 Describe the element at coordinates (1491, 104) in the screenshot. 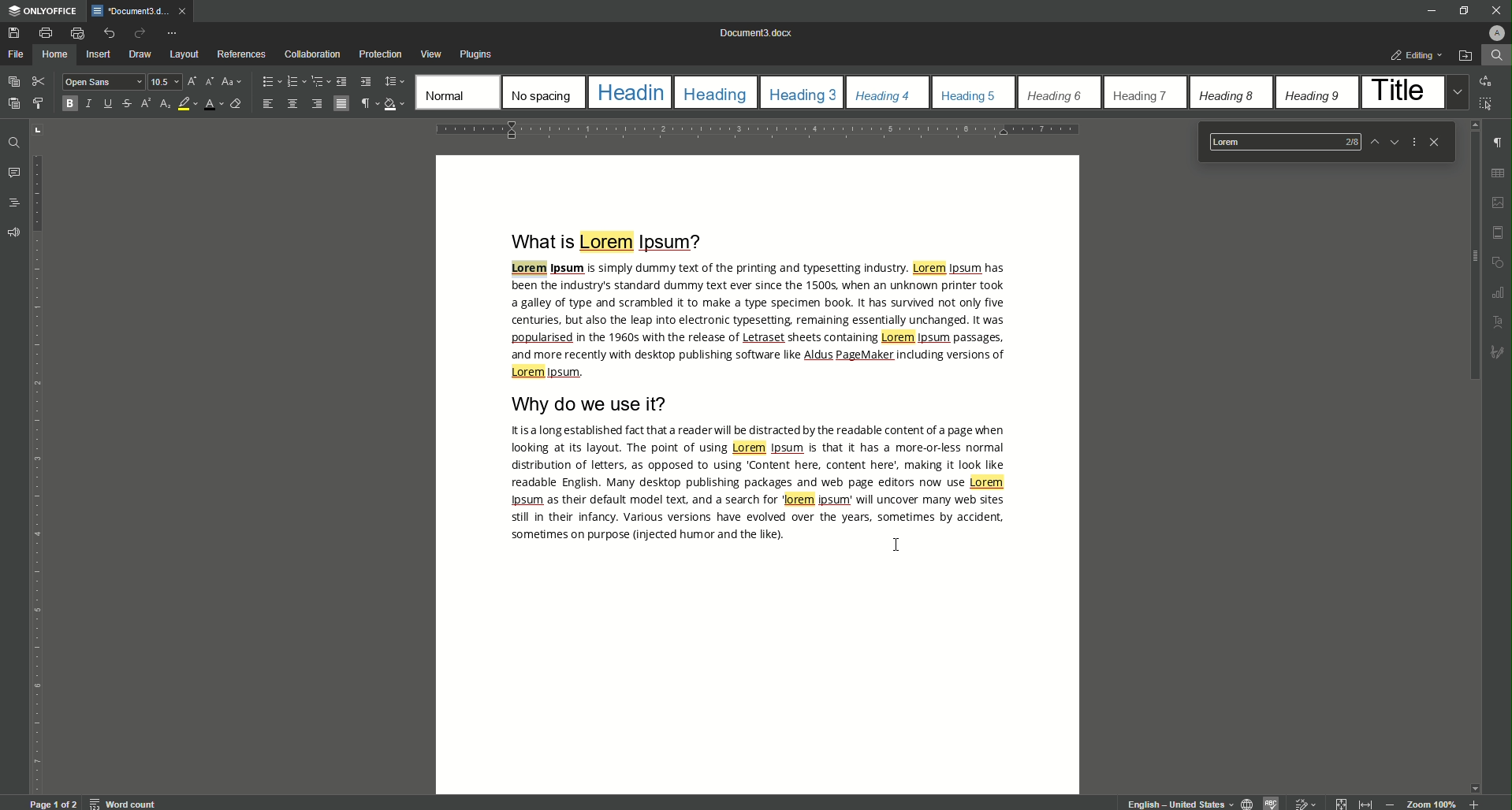

I see `Select` at that location.